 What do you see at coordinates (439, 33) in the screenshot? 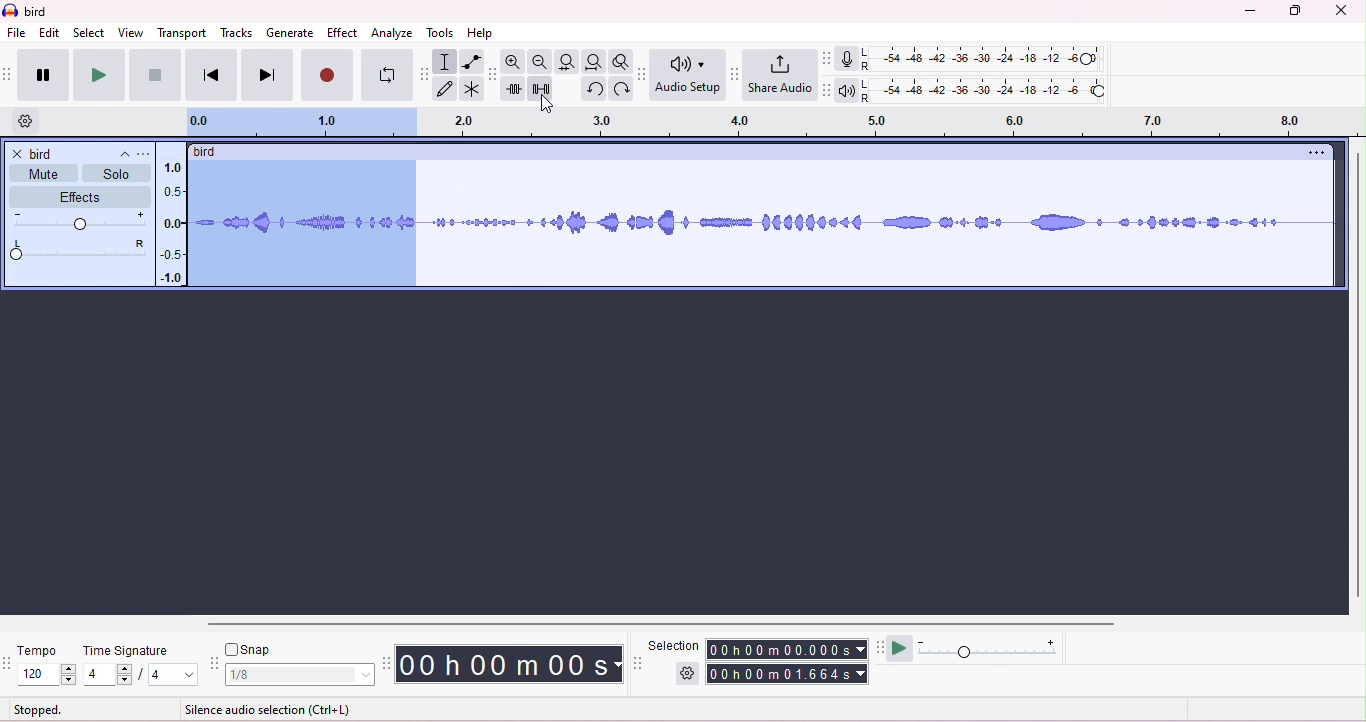
I see `tools` at bounding box center [439, 33].